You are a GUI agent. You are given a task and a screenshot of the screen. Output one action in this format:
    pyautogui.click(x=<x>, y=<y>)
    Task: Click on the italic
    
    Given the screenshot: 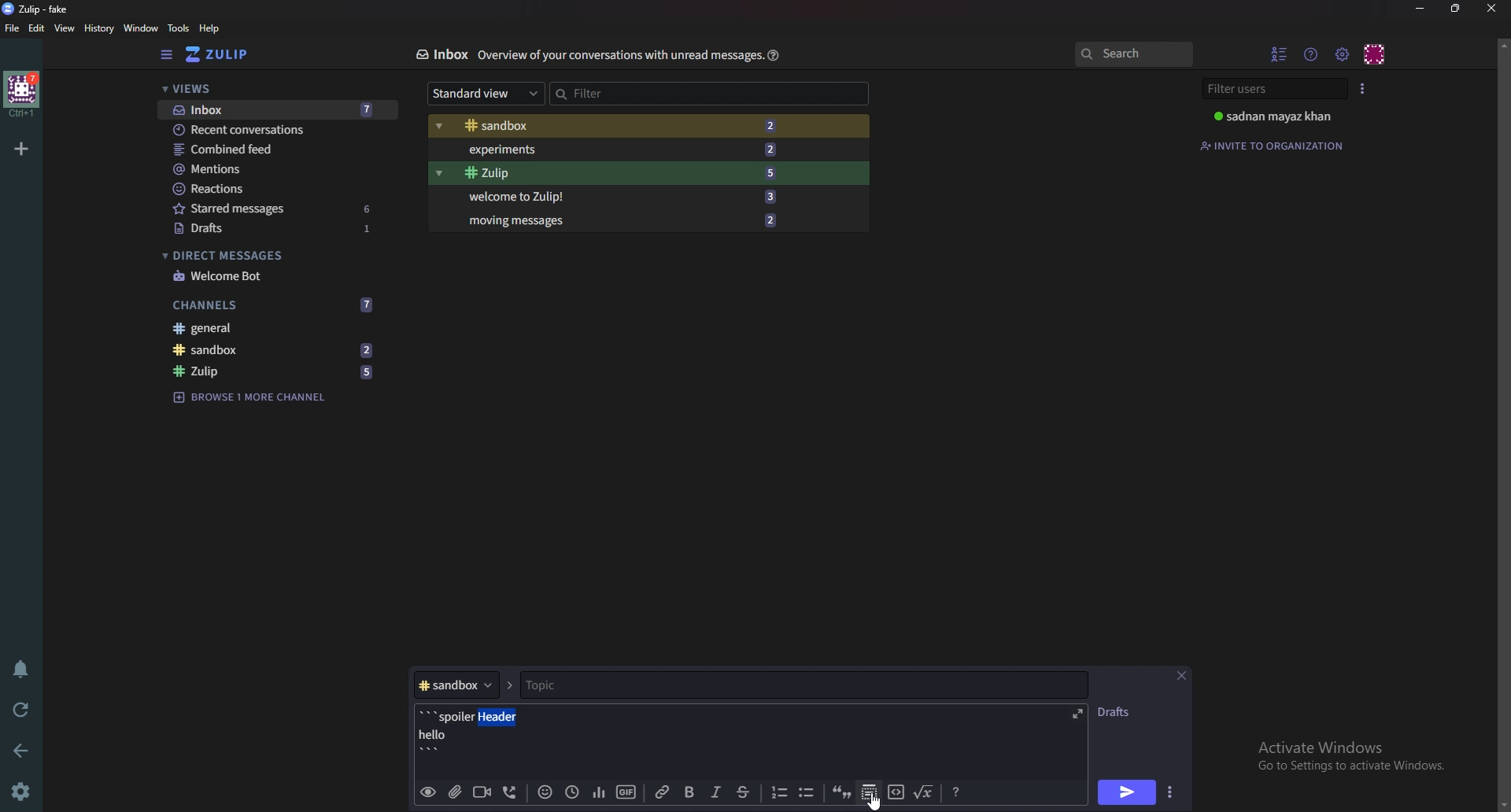 What is the action you would take?
    pyautogui.click(x=716, y=792)
    